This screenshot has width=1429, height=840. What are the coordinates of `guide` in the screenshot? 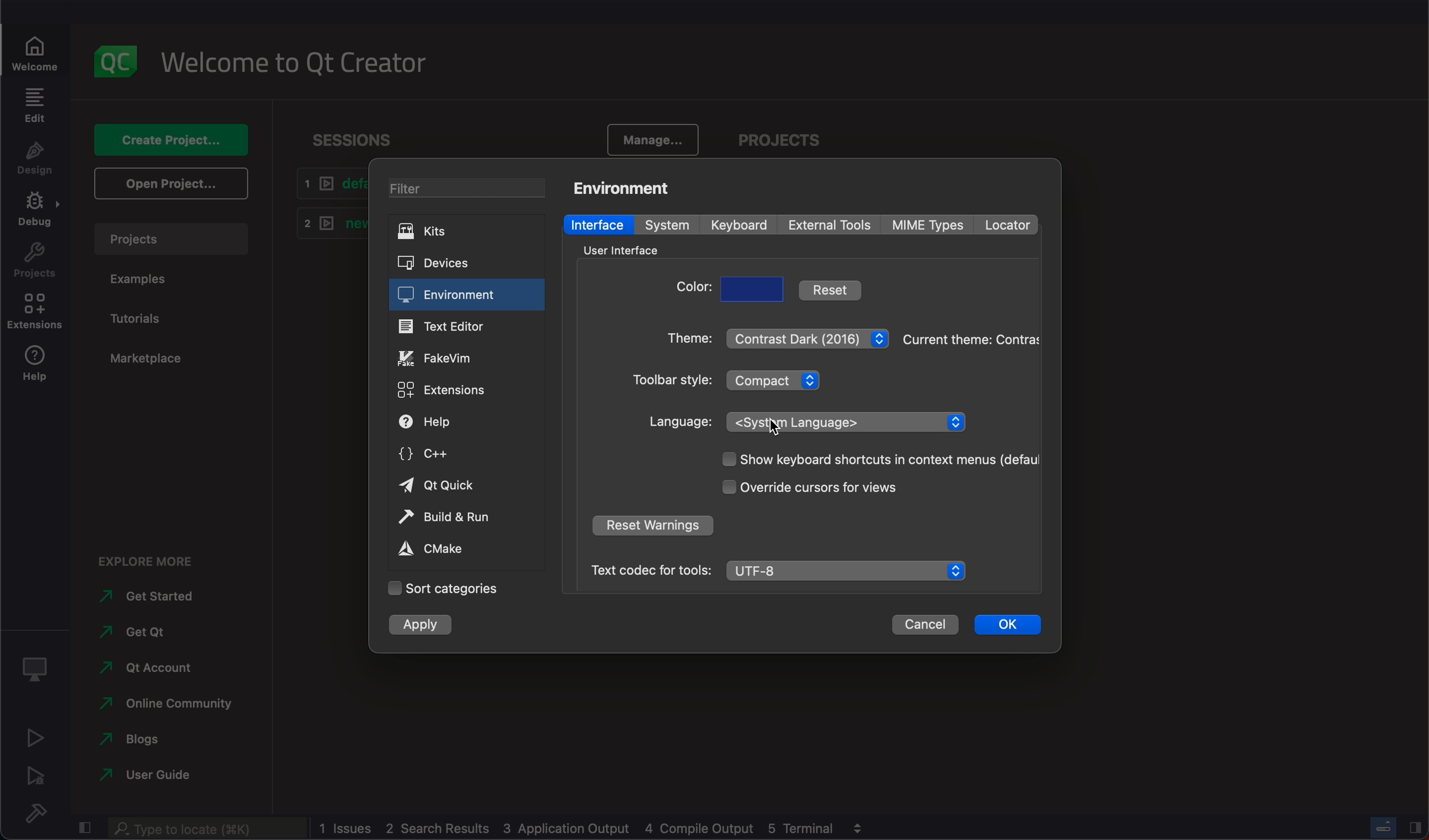 It's located at (142, 775).